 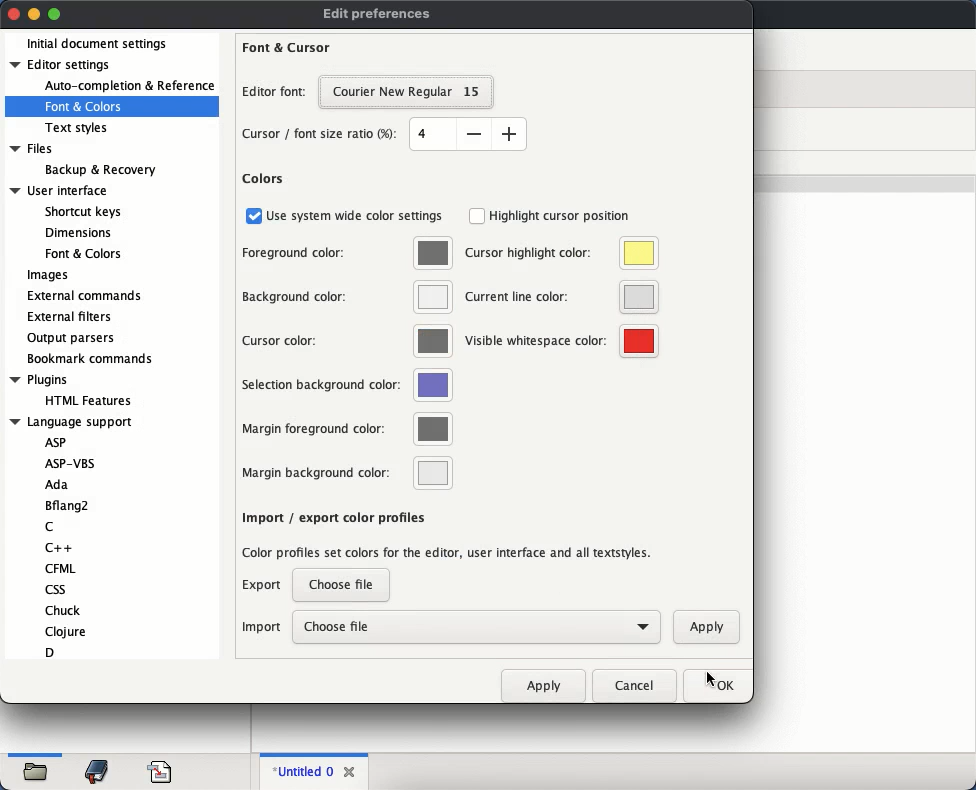 I want to click on chuck, so click(x=64, y=610).